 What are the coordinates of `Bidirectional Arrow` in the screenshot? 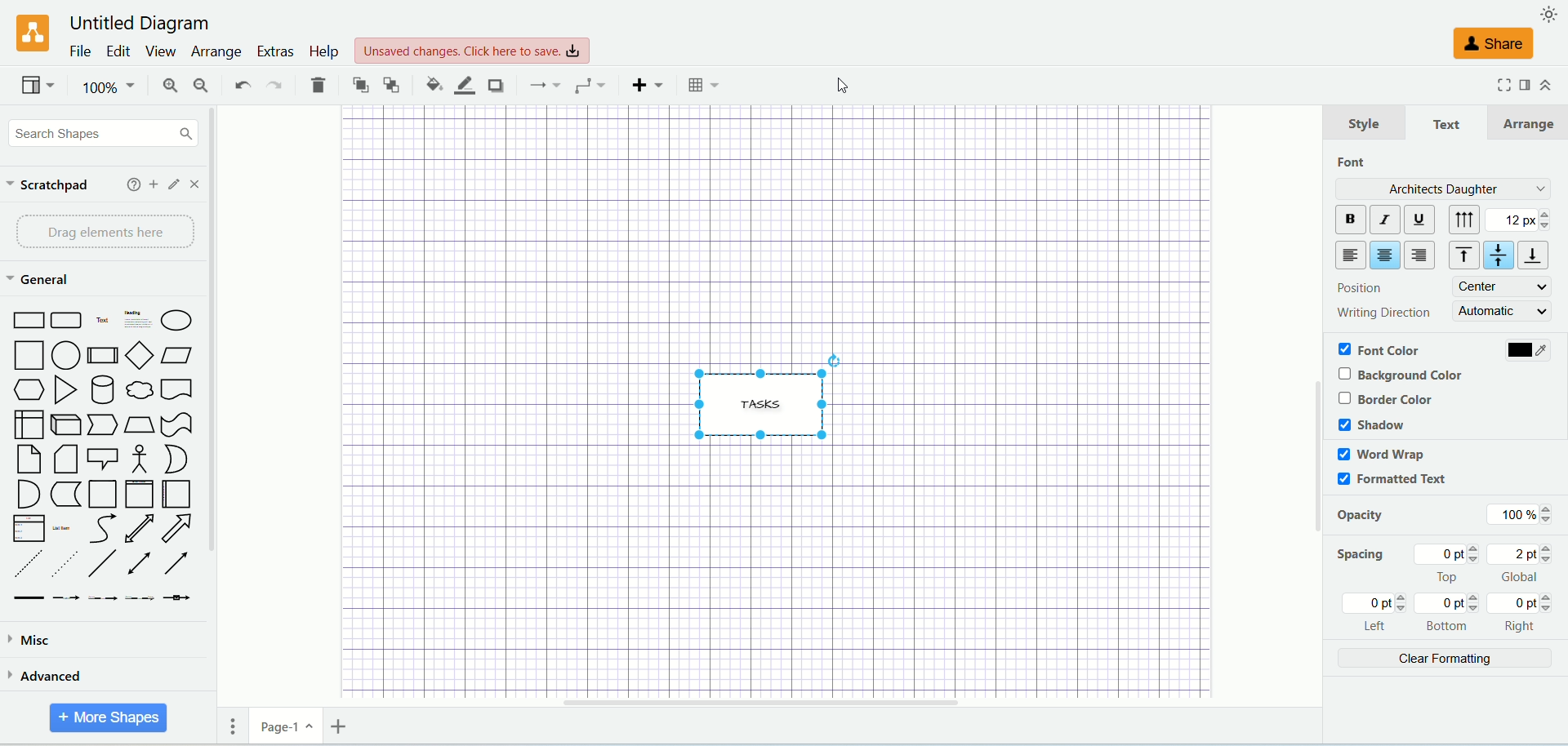 It's located at (141, 565).